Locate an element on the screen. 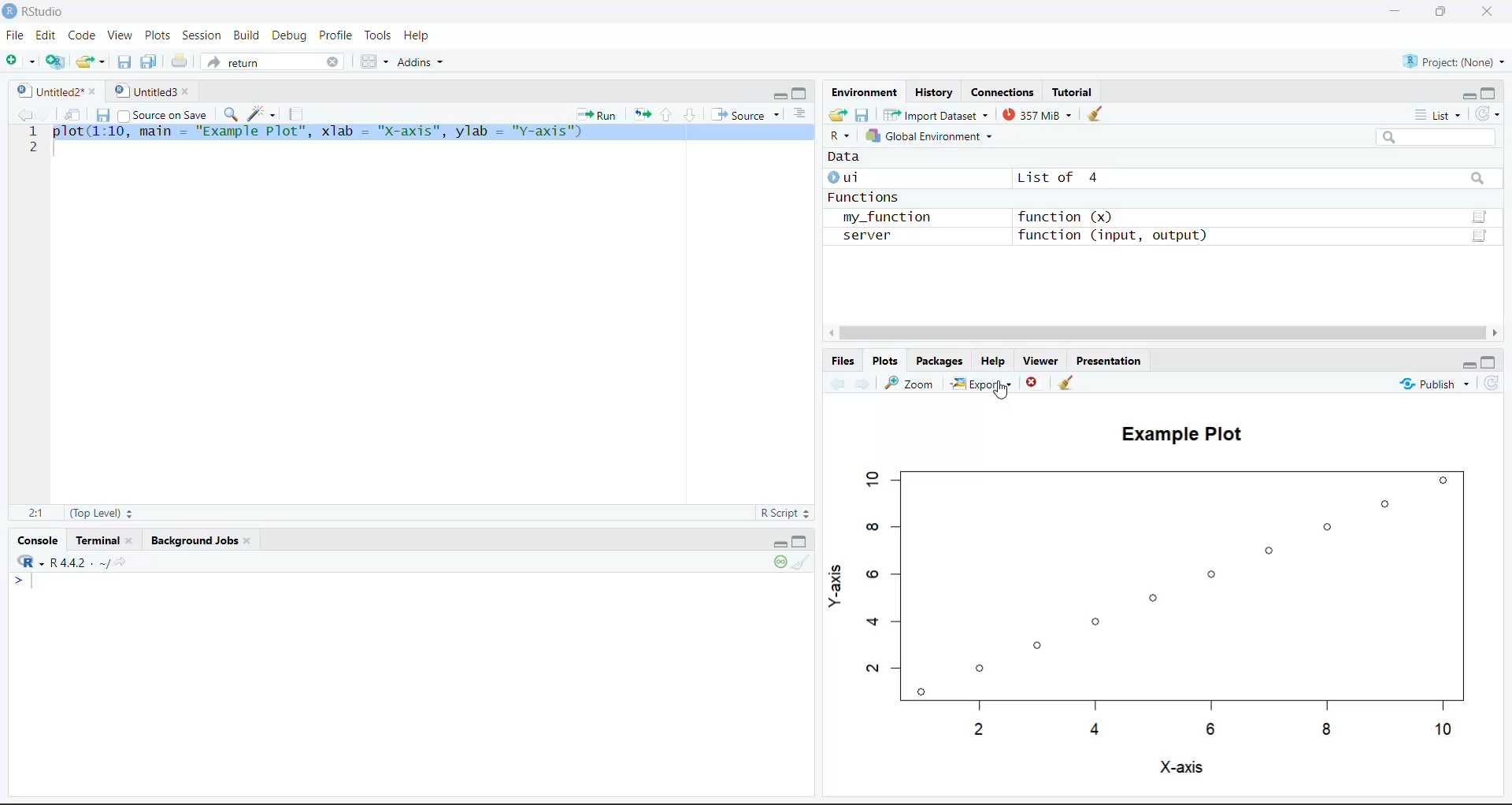  Save current document (Ctrl + S) is located at coordinates (102, 113).